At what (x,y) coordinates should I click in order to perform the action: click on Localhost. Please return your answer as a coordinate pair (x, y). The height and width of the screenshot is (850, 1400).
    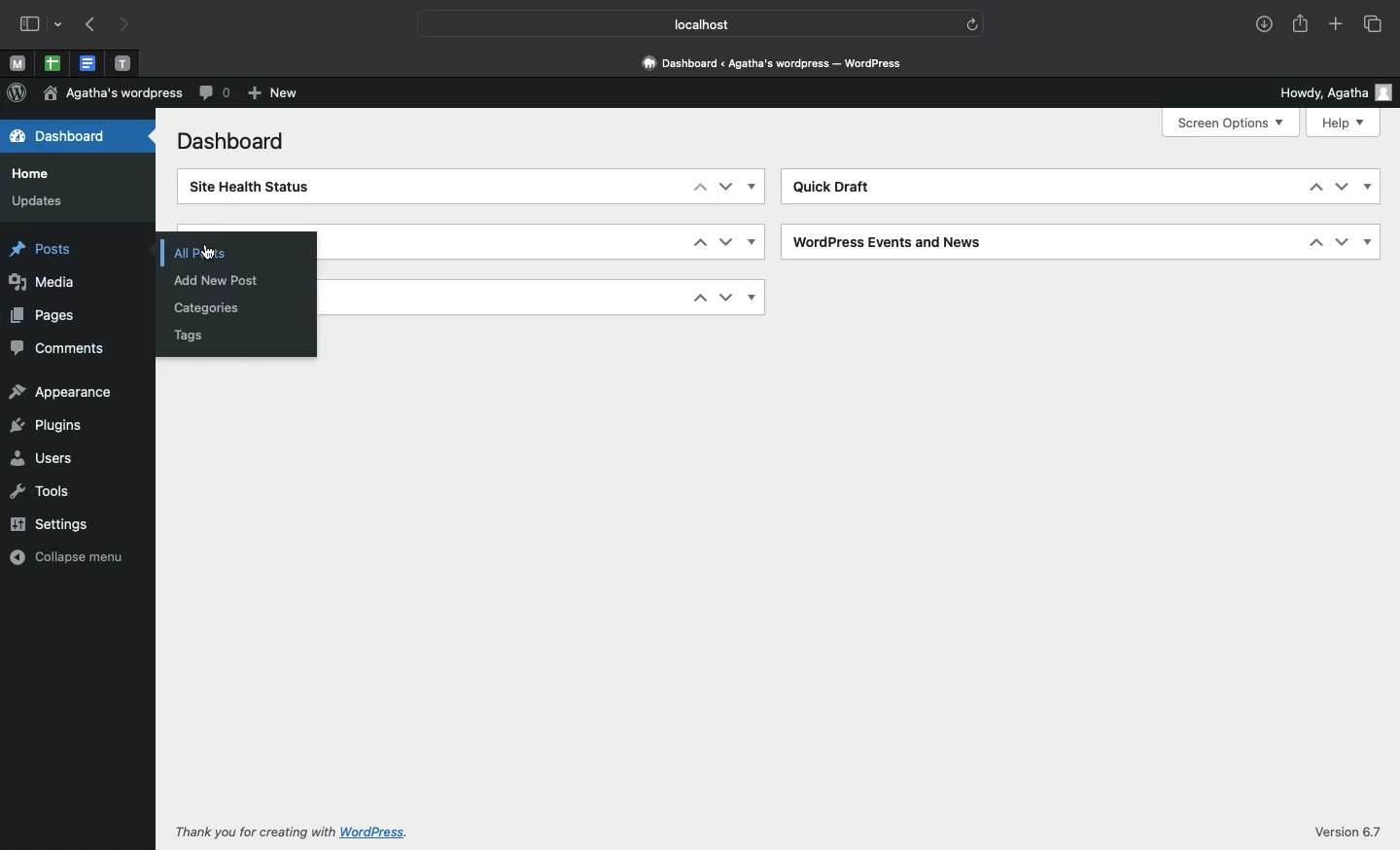
    Looking at the image, I should click on (687, 24).